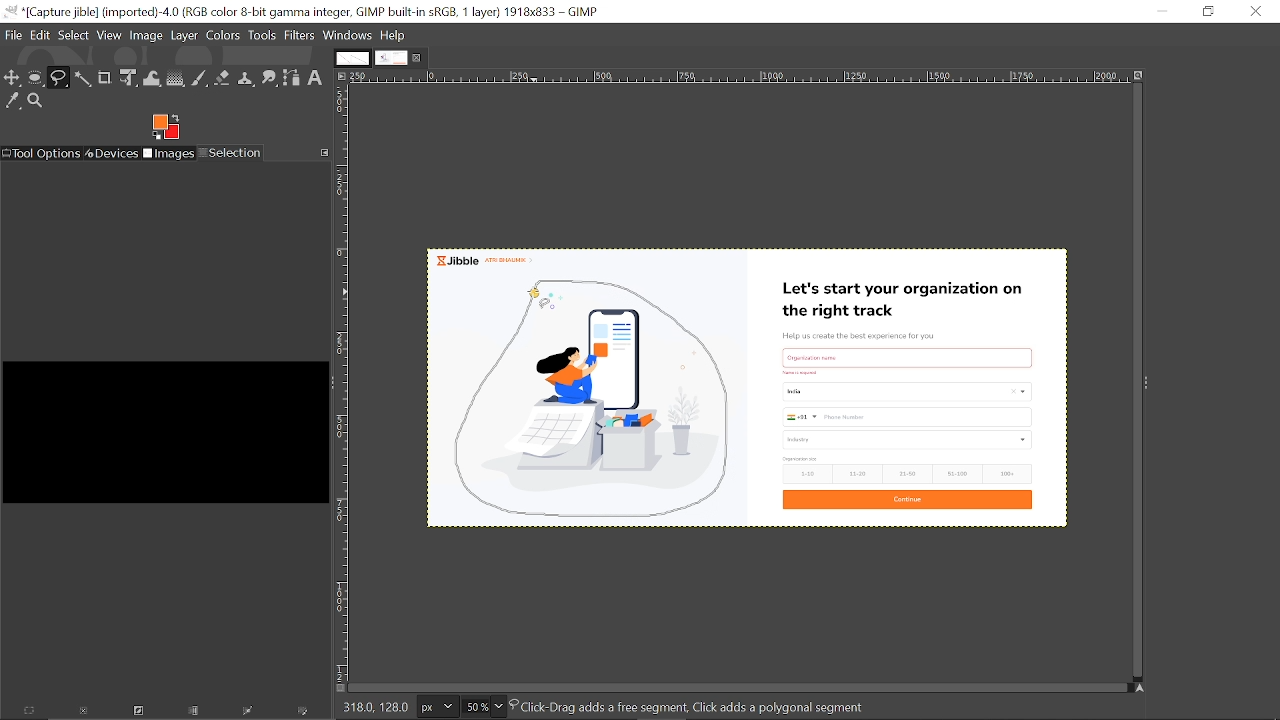 The height and width of the screenshot is (720, 1280). What do you see at coordinates (1140, 686) in the screenshot?
I see `Navigate this display` at bounding box center [1140, 686].